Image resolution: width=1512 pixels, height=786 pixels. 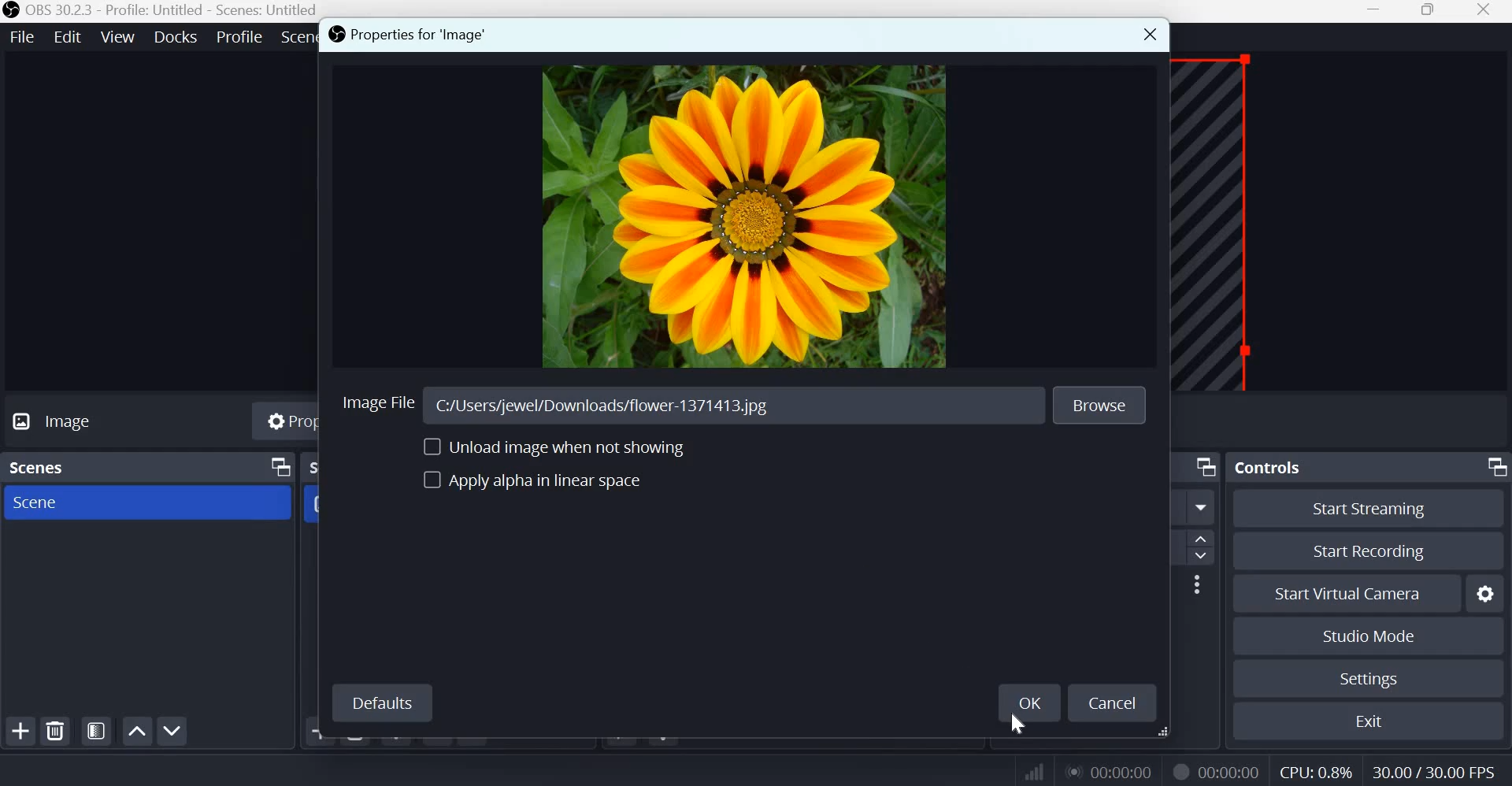 What do you see at coordinates (43, 469) in the screenshot?
I see `Scenes` at bounding box center [43, 469].